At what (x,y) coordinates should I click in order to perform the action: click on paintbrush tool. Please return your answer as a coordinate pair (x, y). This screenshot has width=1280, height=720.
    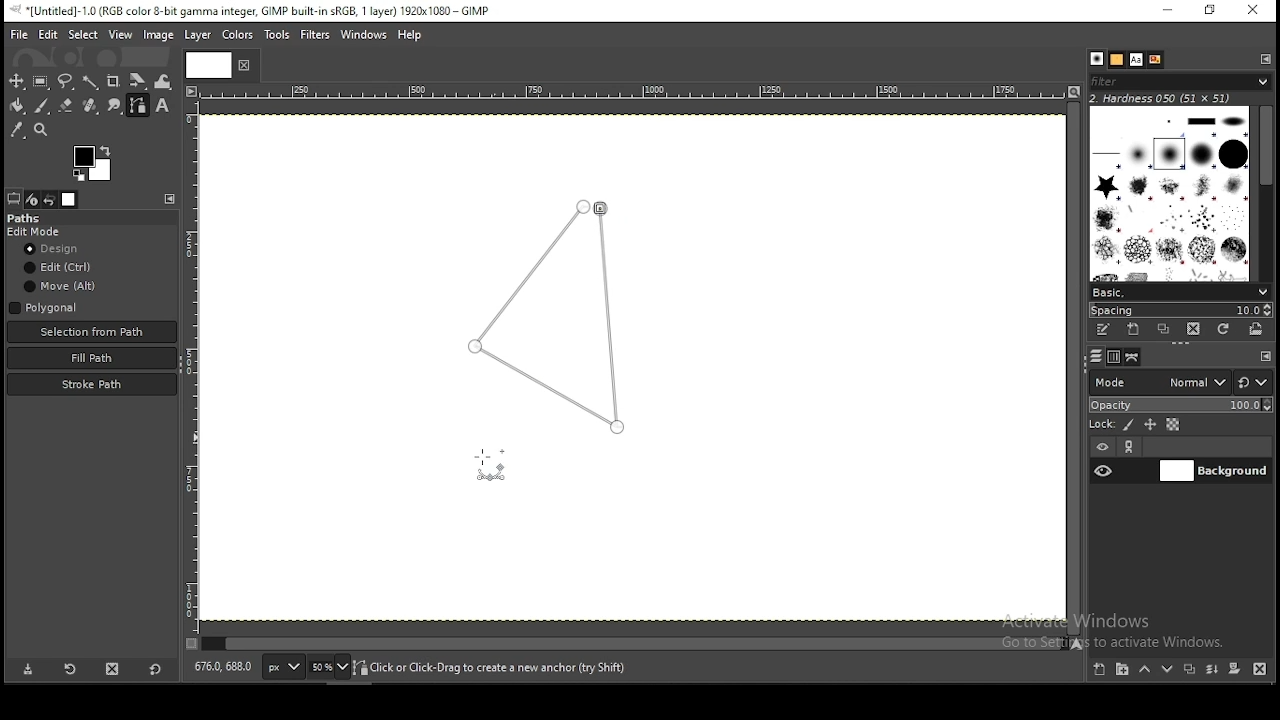
    Looking at the image, I should click on (40, 105).